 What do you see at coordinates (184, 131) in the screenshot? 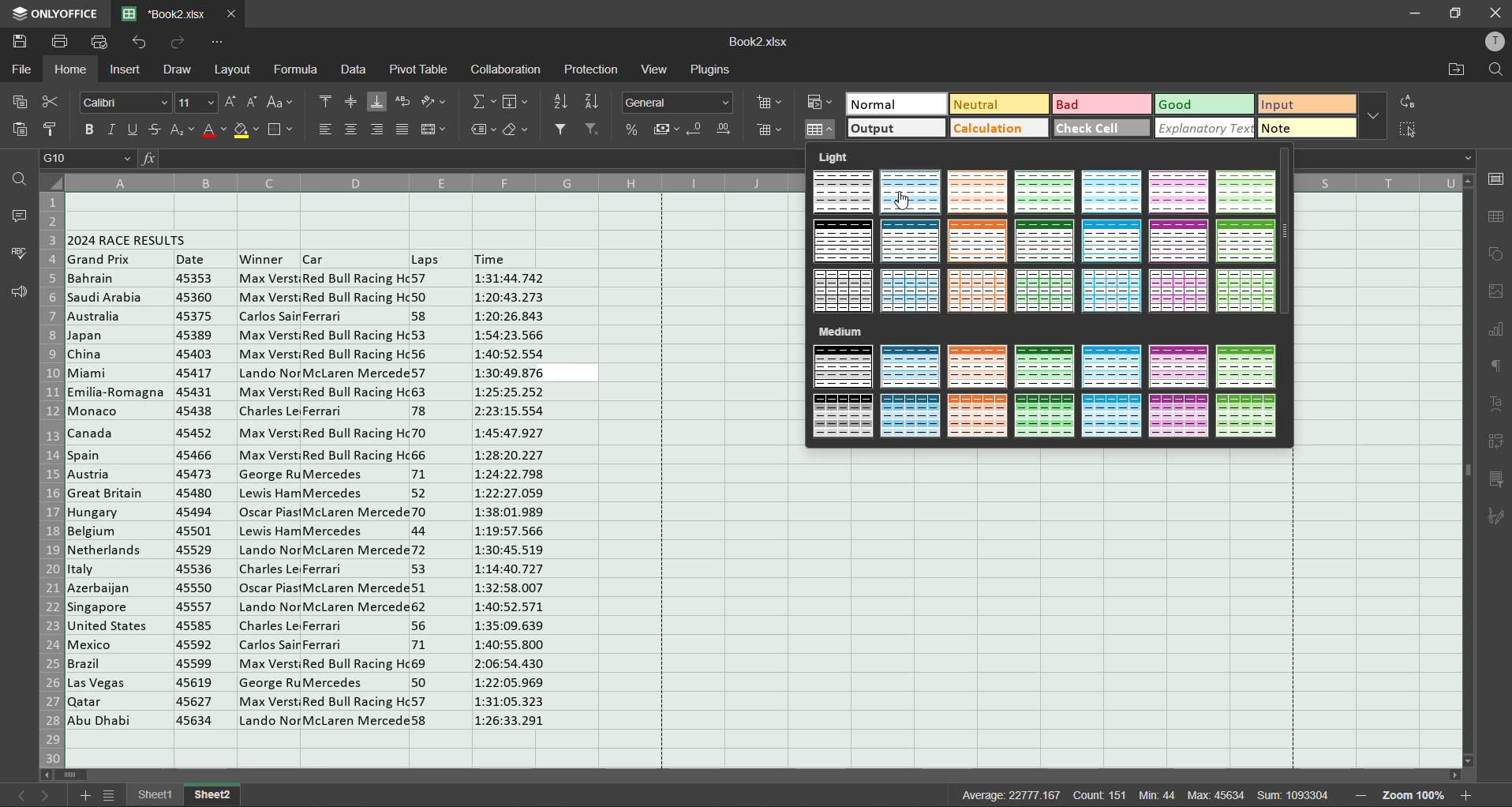
I see `sub/superscript` at bounding box center [184, 131].